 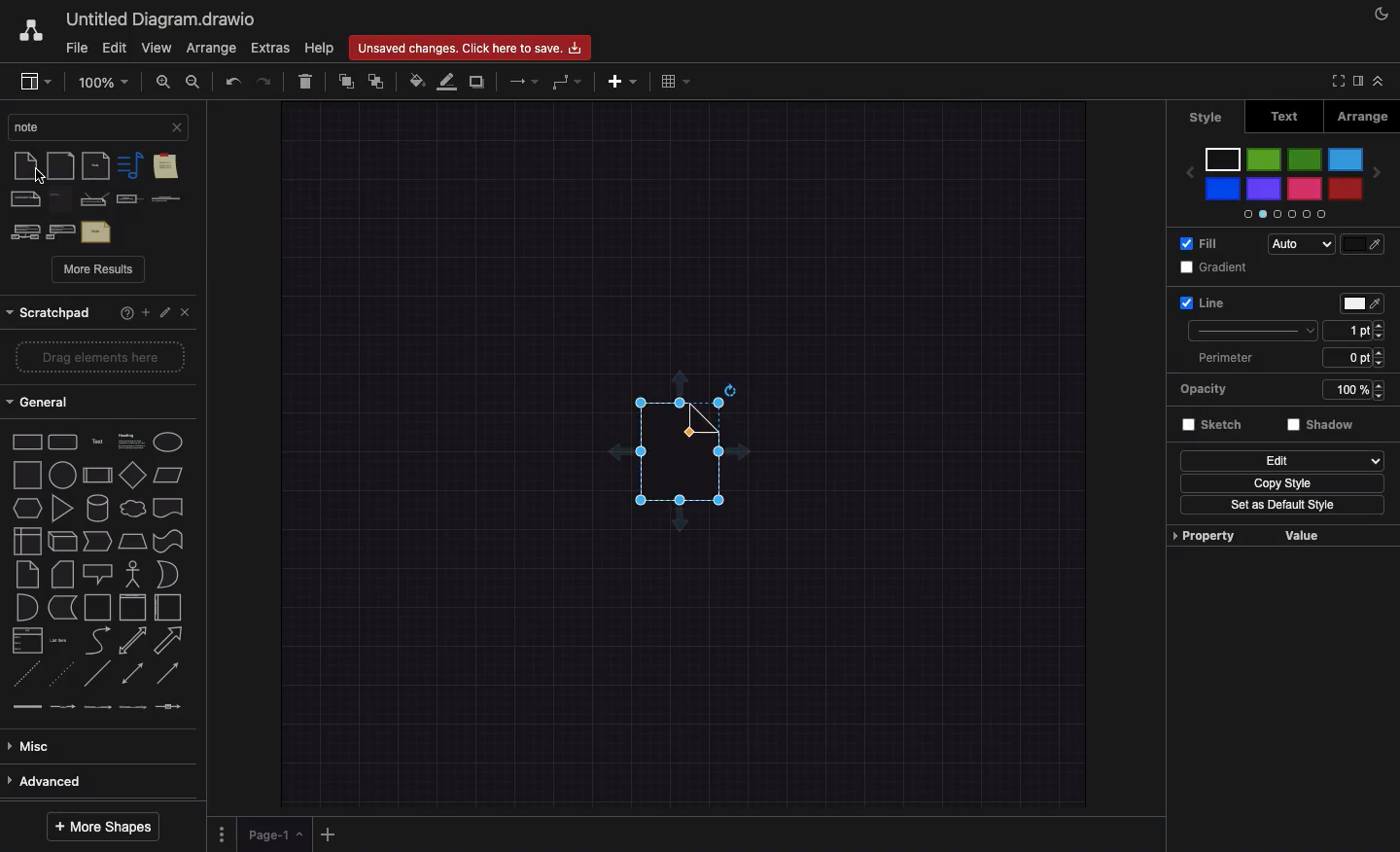 What do you see at coordinates (1346, 188) in the screenshot?
I see `red` at bounding box center [1346, 188].